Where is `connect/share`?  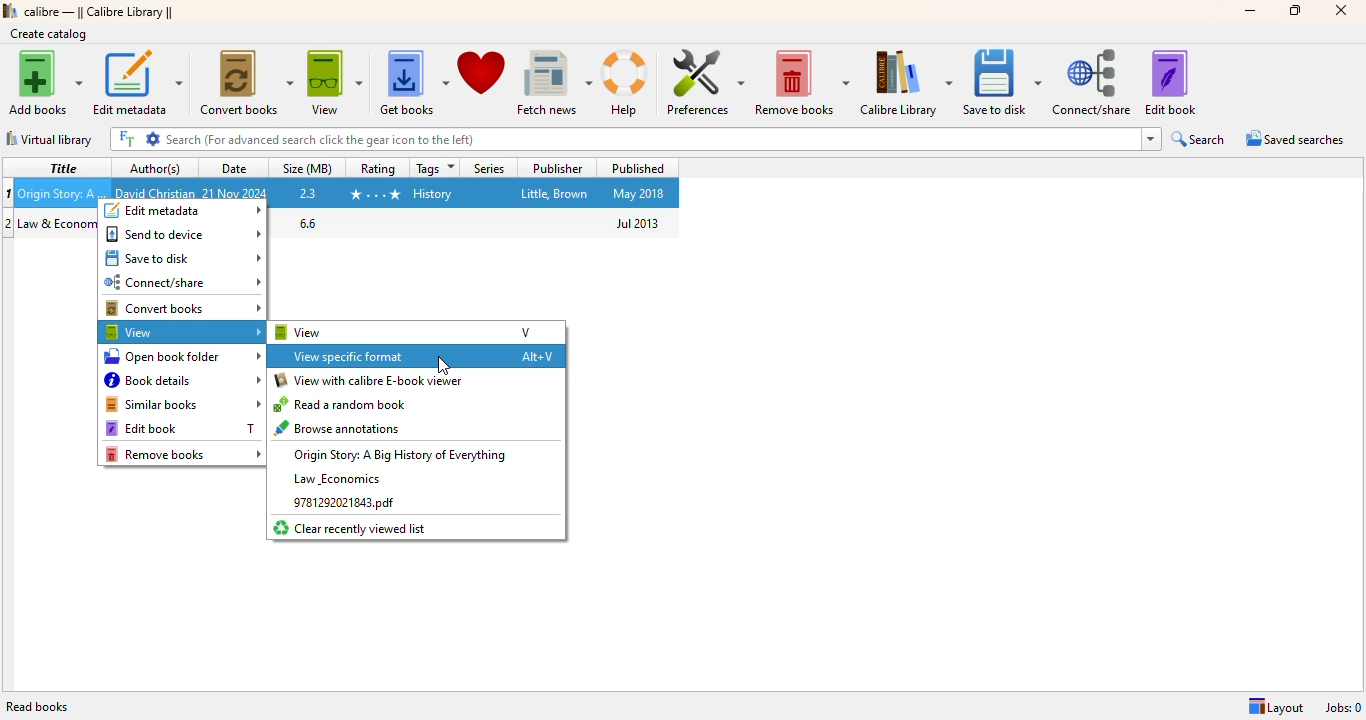 connect/share is located at coordinates (1094, 82).